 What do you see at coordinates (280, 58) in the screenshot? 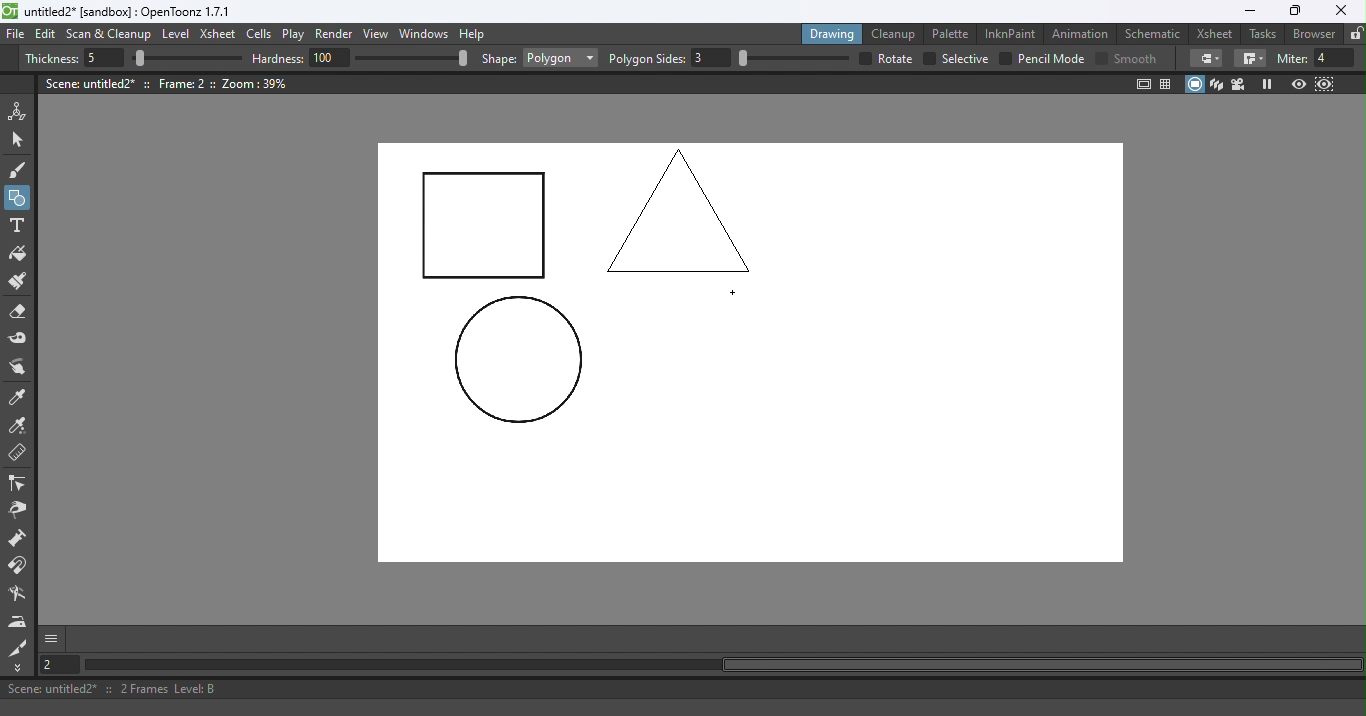
I see `hardness` at bounding box center [280, 58].